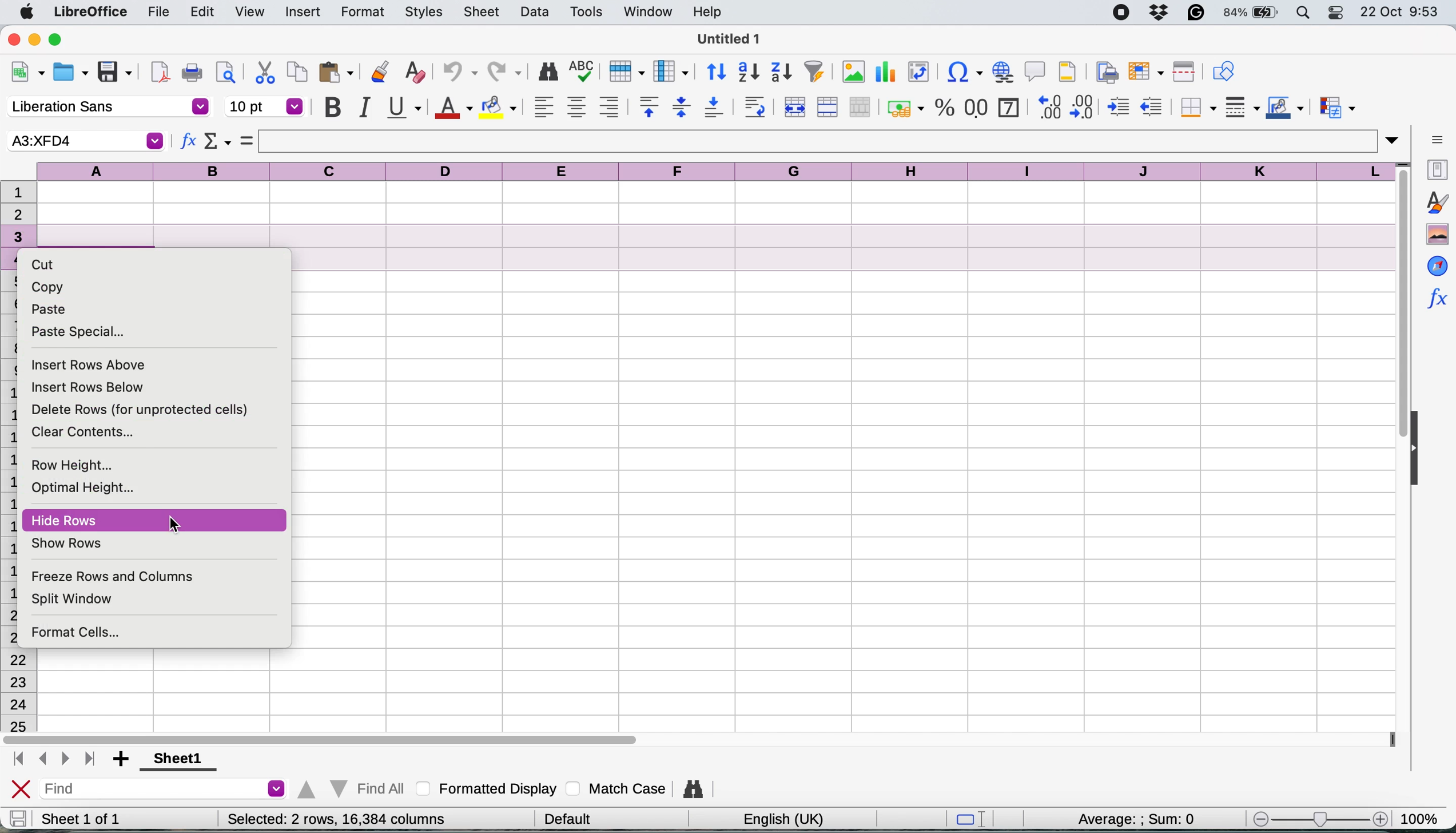  I want to click on close, so click(21, 790).